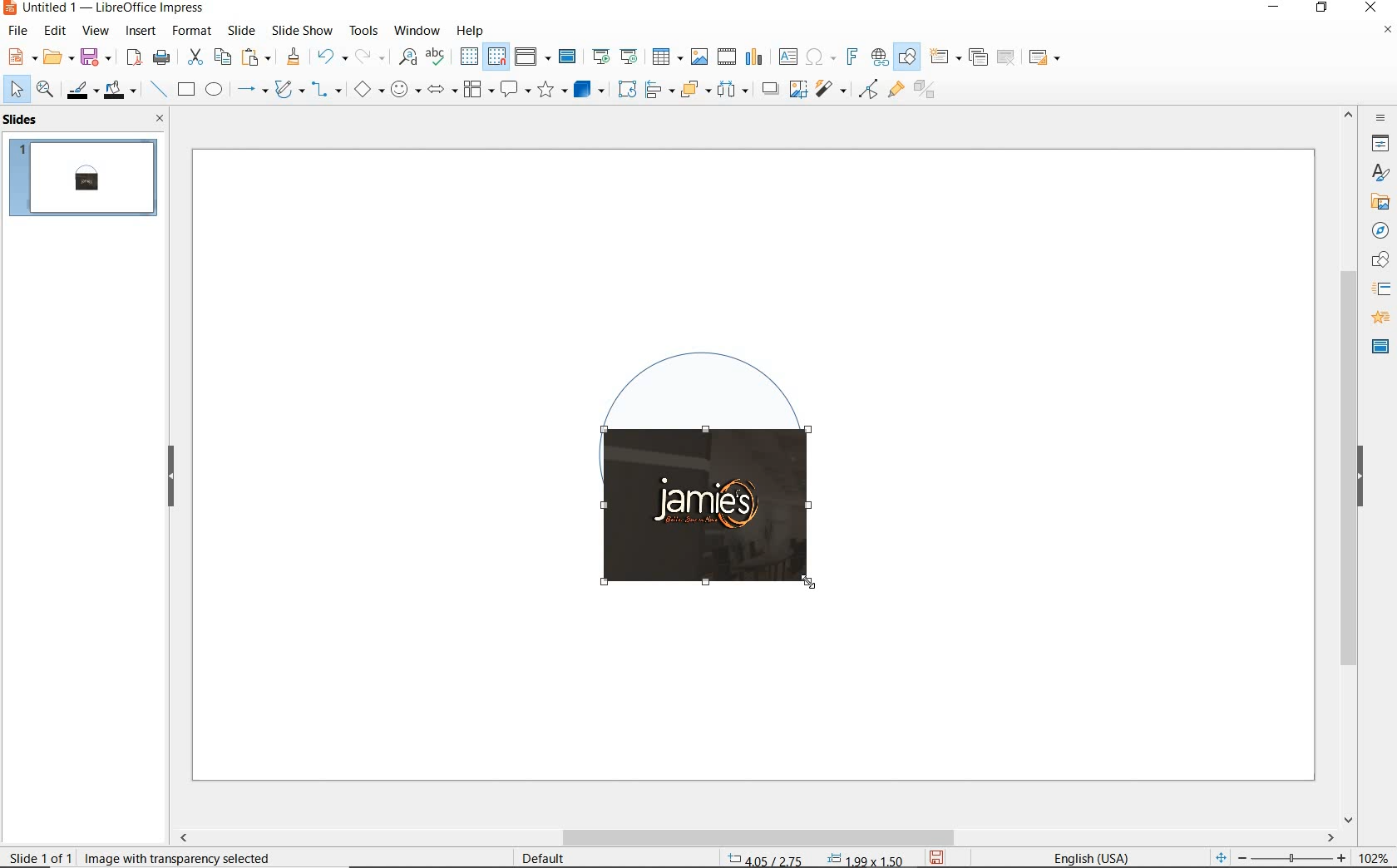 This screenshot has width=1397, height=868. What do you see at coordinates (720, 520) in the screenshot?
I see `image cropping` at bounding box center [720, 520].